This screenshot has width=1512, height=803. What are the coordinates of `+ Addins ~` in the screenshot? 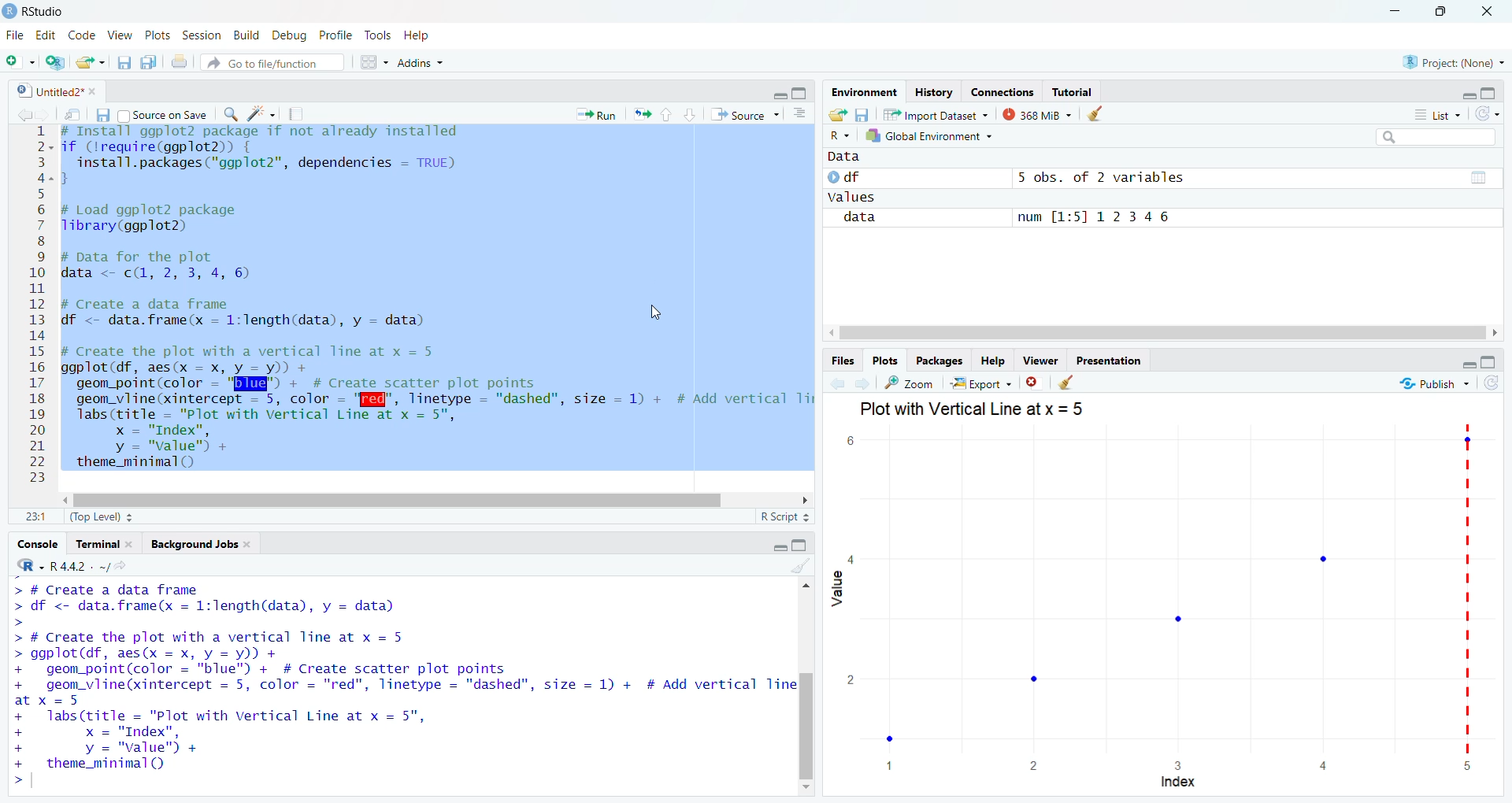 It's located at (427, 62).